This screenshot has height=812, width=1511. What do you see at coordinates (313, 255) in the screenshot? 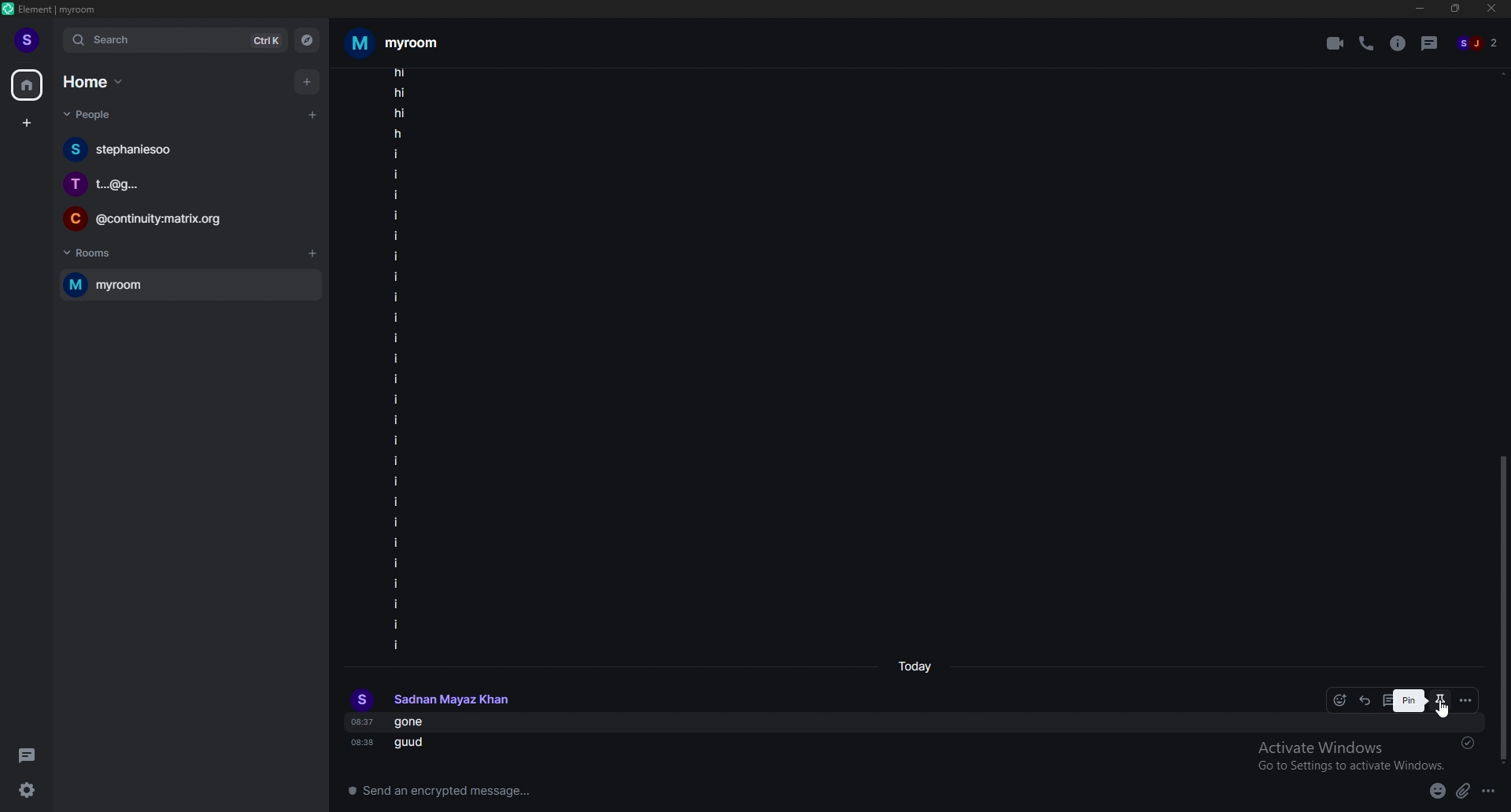
I see `create room` at bounding box center [313, 255].